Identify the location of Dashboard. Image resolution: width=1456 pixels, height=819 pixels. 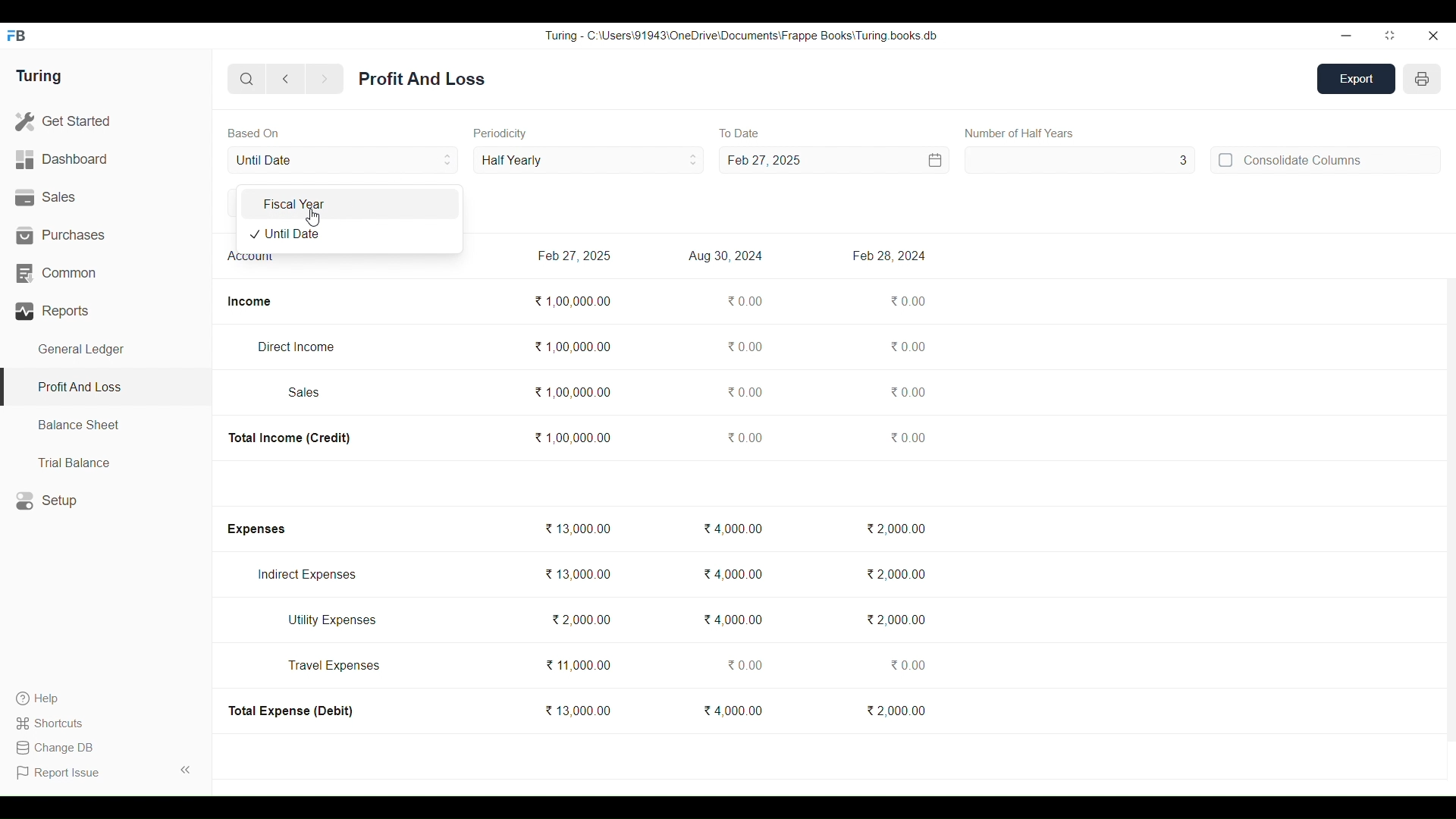
(105, 160).